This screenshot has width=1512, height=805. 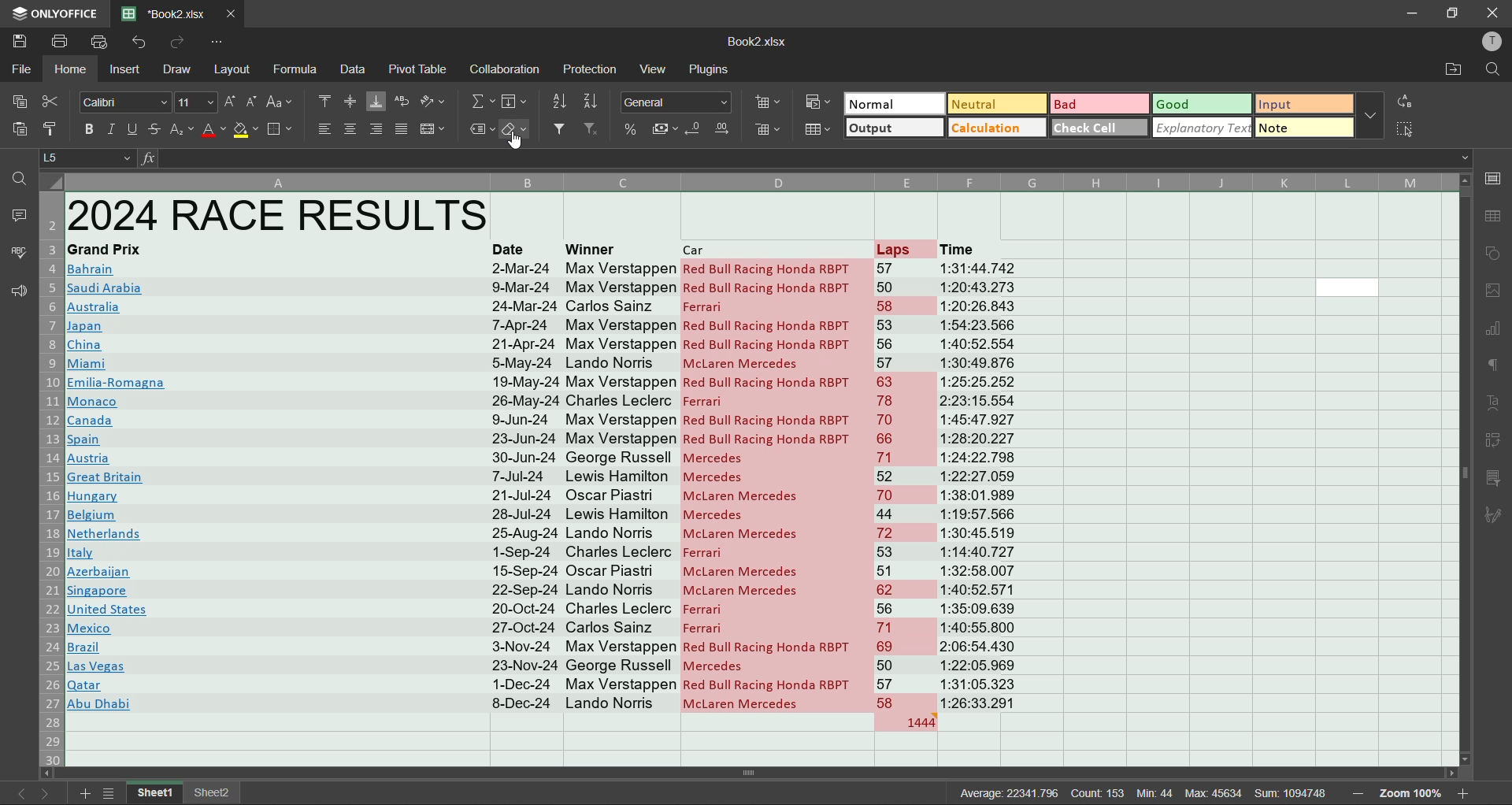 I want to click on decrease decimal, so click(x=693, y=130).